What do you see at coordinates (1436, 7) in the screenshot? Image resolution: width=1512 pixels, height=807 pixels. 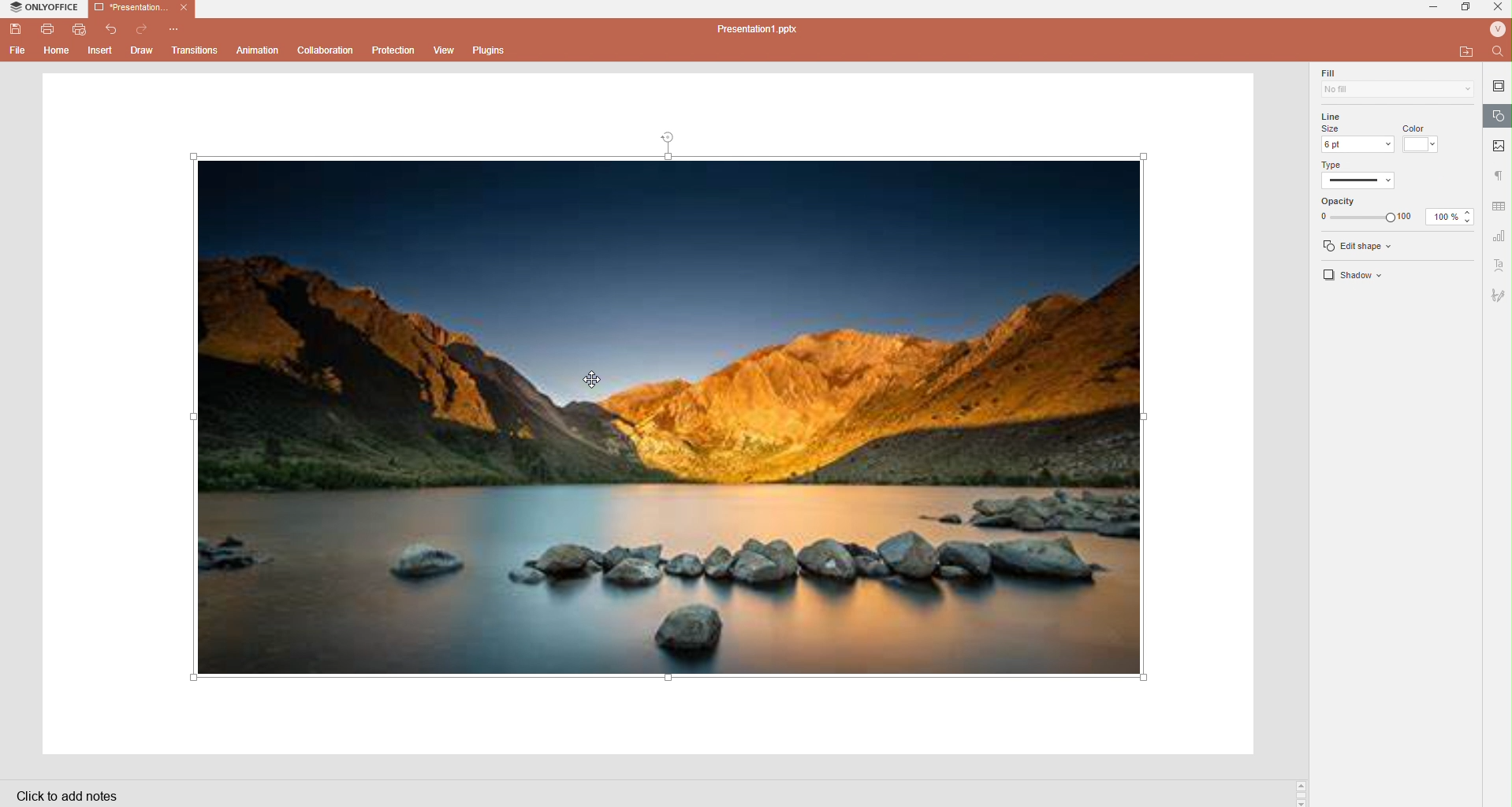 I see `minimize` at bounding box center [1436, 7].